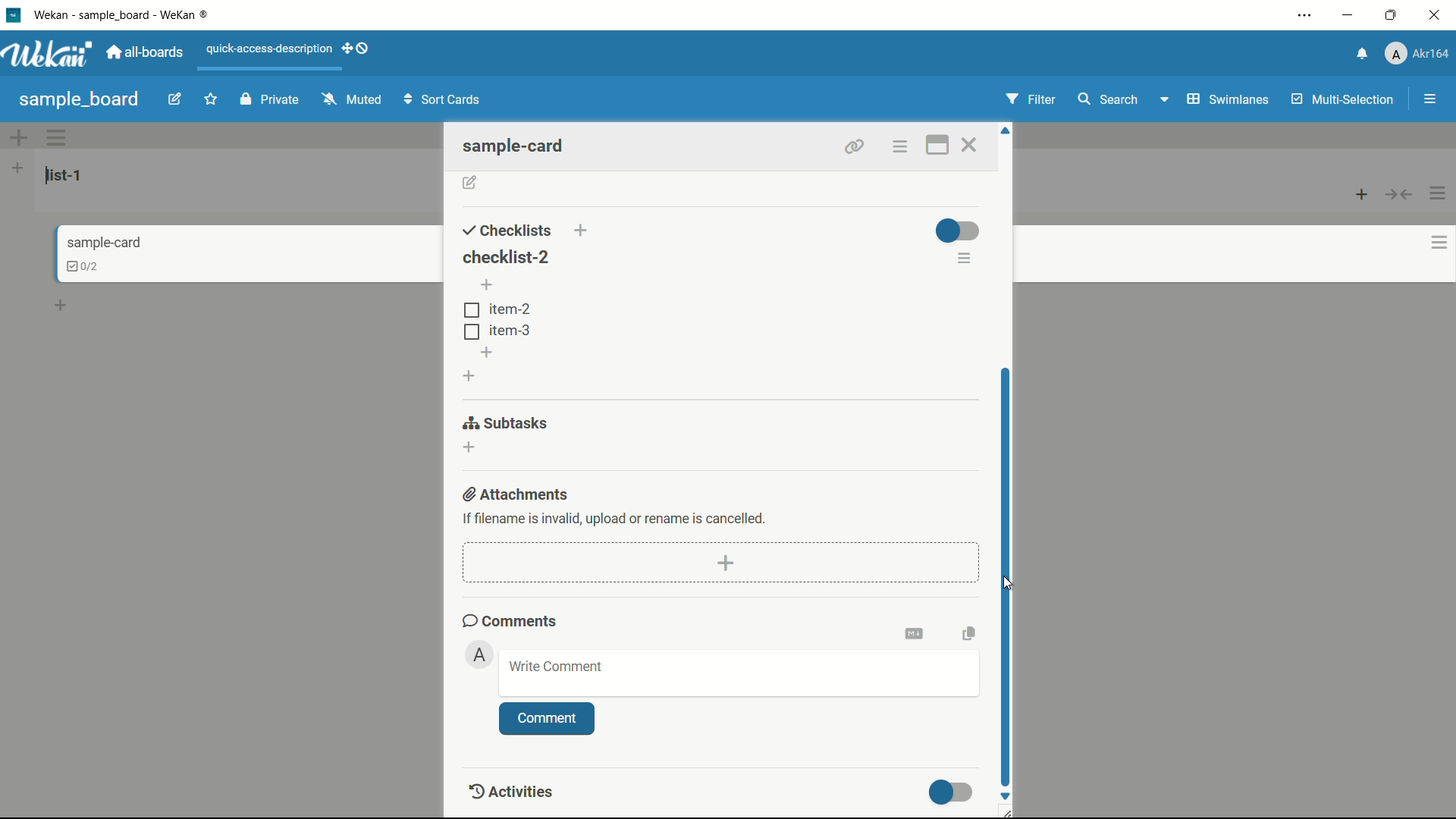 The image size is (1456, 819). What do you see at coordinates (488, 353) in the screenshot?
I see `add item` at bounding box center [488, 353].